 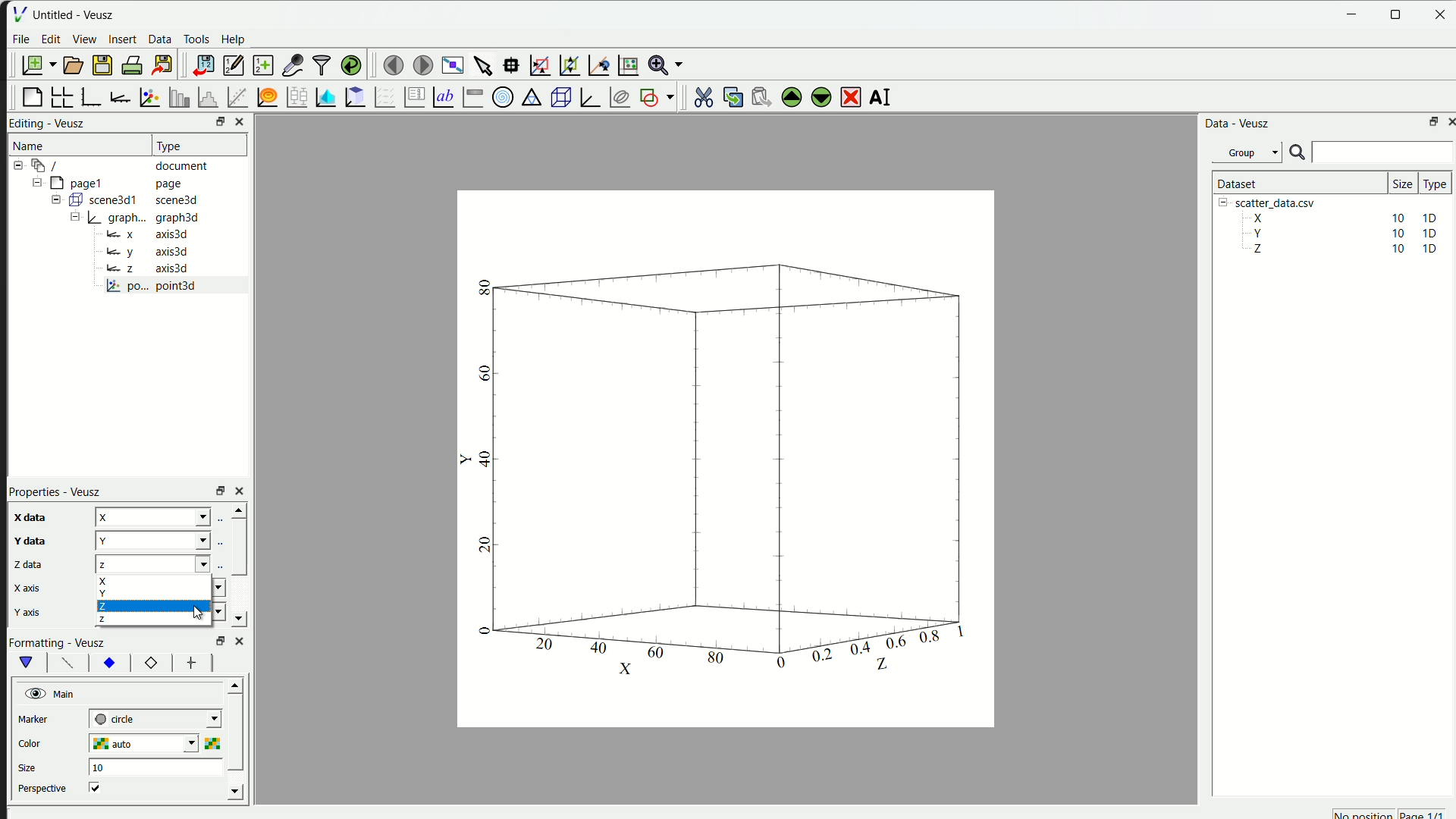 What do you see at coordinates (730, 97) in the screenshot?
I see `copy the widget` at bounding box center [730, 97].